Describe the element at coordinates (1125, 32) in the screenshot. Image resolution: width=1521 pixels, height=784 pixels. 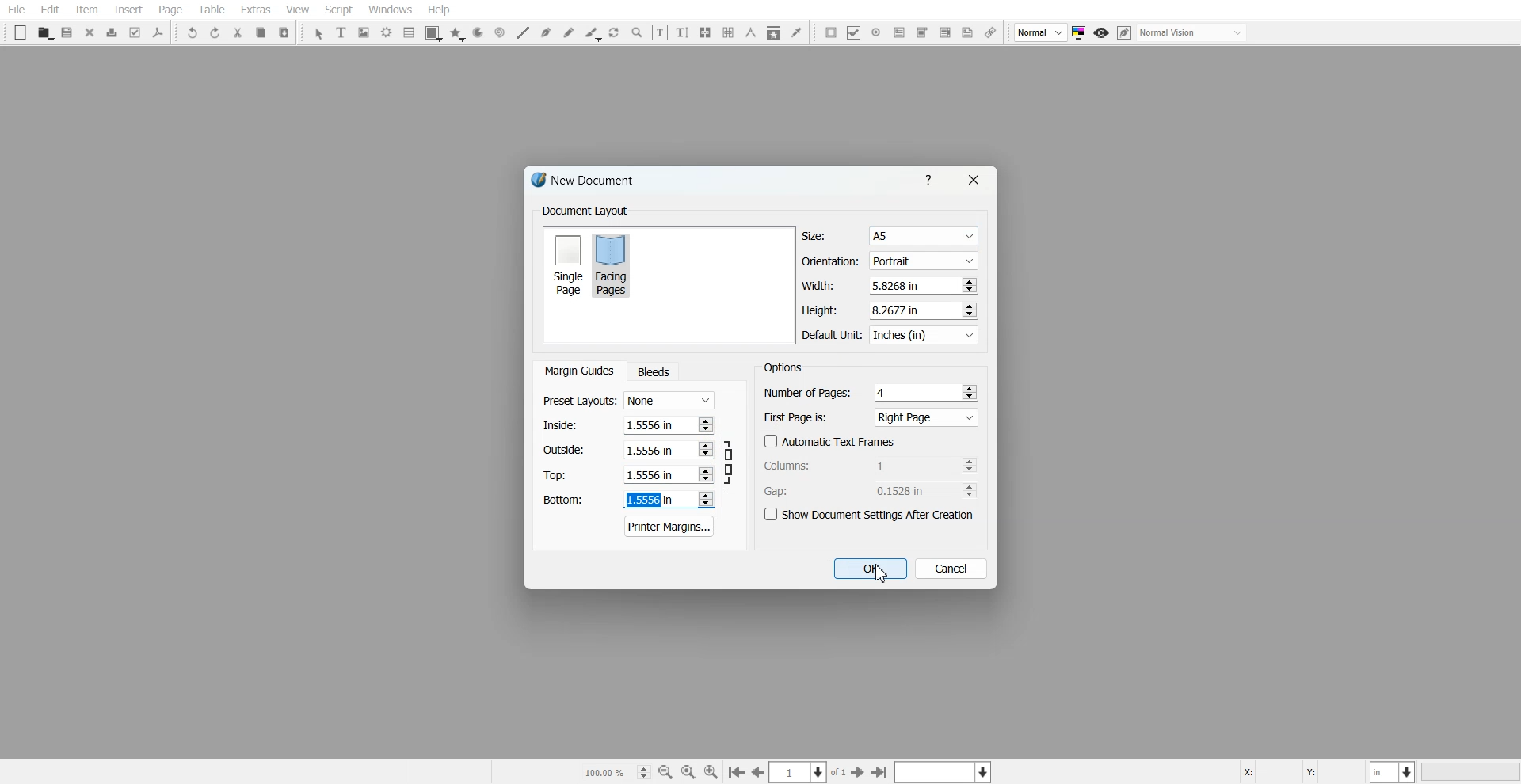
I see `Edit in preview mode` at that location.